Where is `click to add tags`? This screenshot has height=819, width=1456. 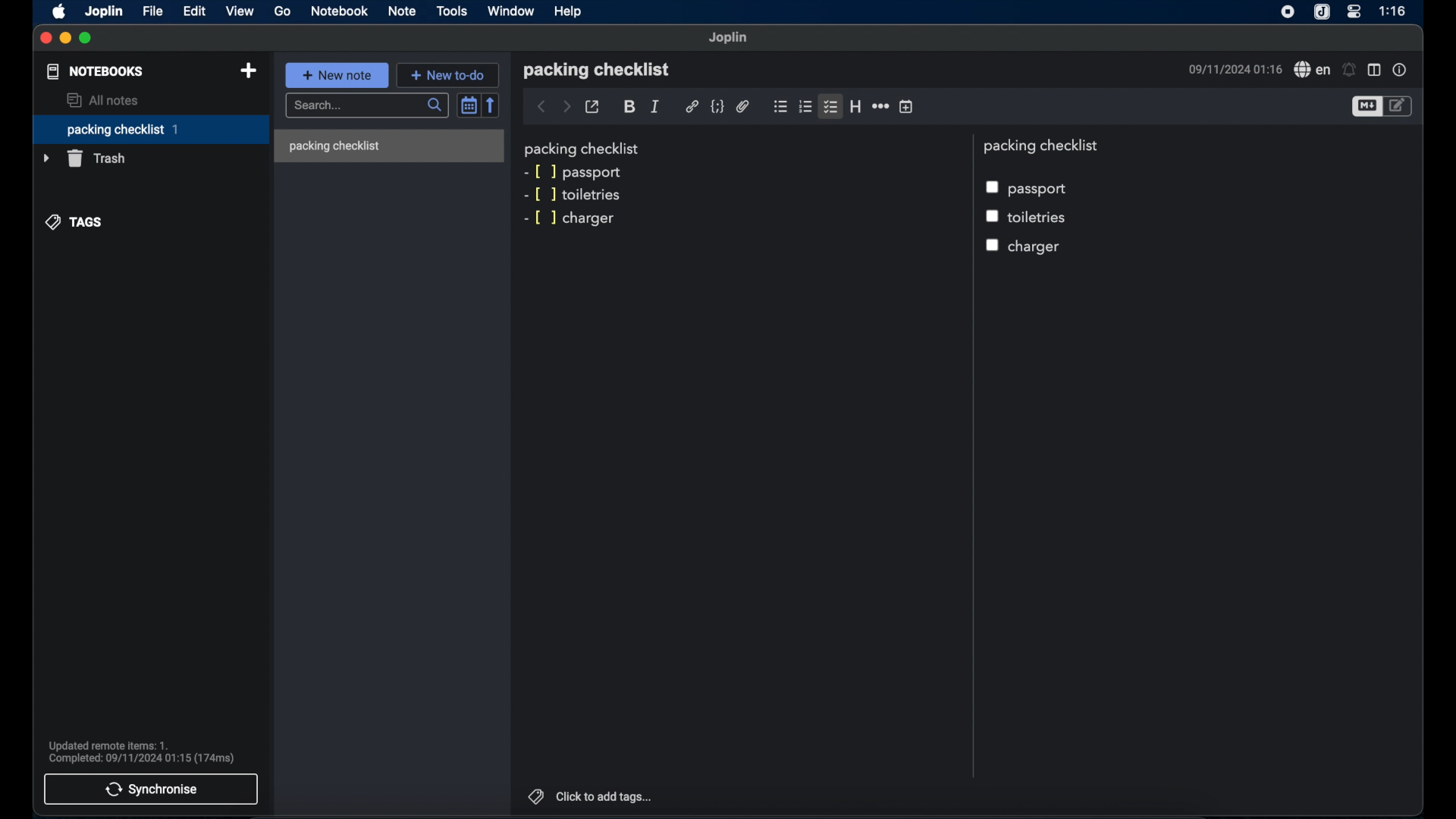
click to add tags is located at coordinates (591, 795).